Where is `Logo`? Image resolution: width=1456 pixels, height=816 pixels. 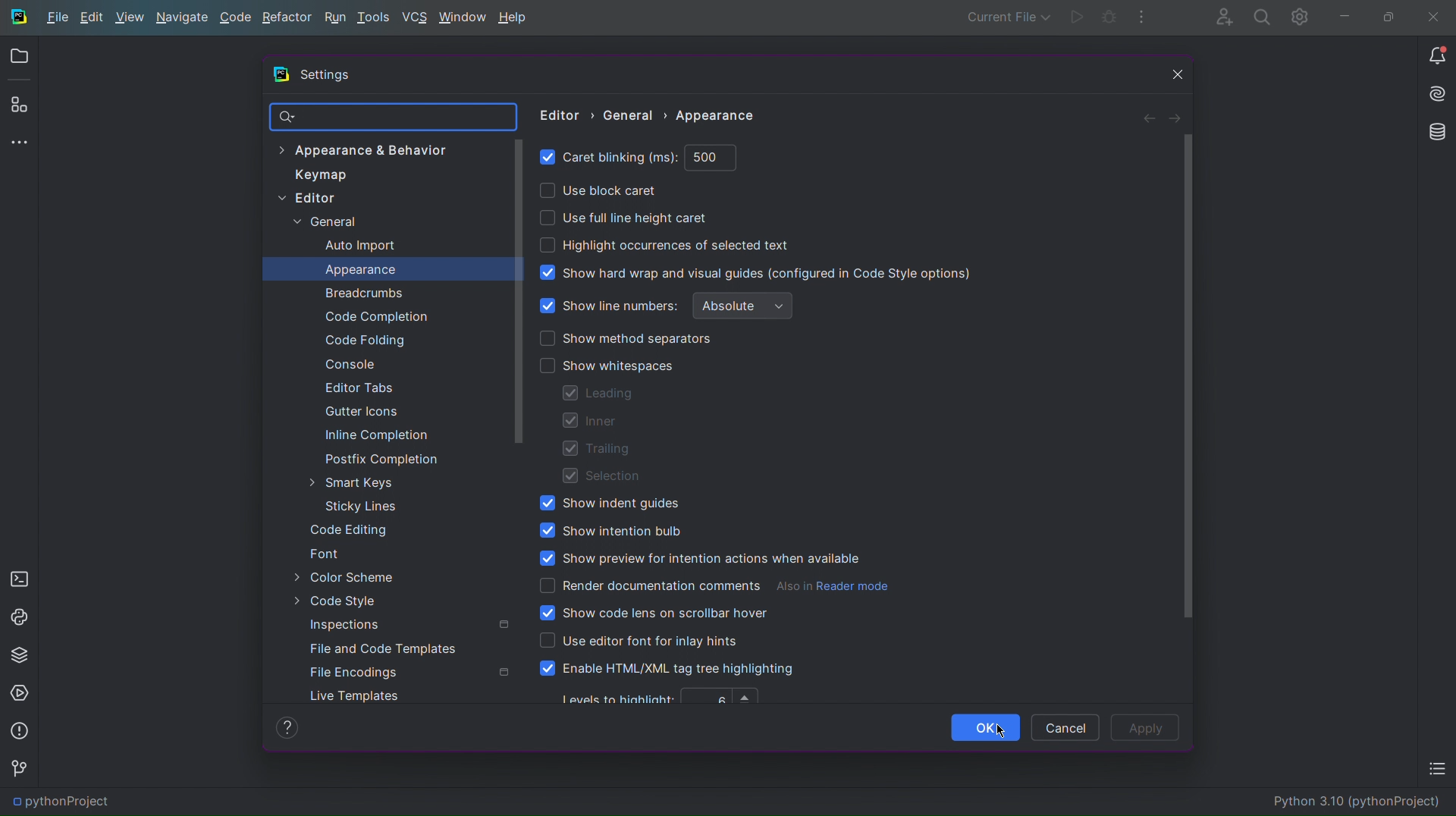
Logo is located at coordinates (282, 71).